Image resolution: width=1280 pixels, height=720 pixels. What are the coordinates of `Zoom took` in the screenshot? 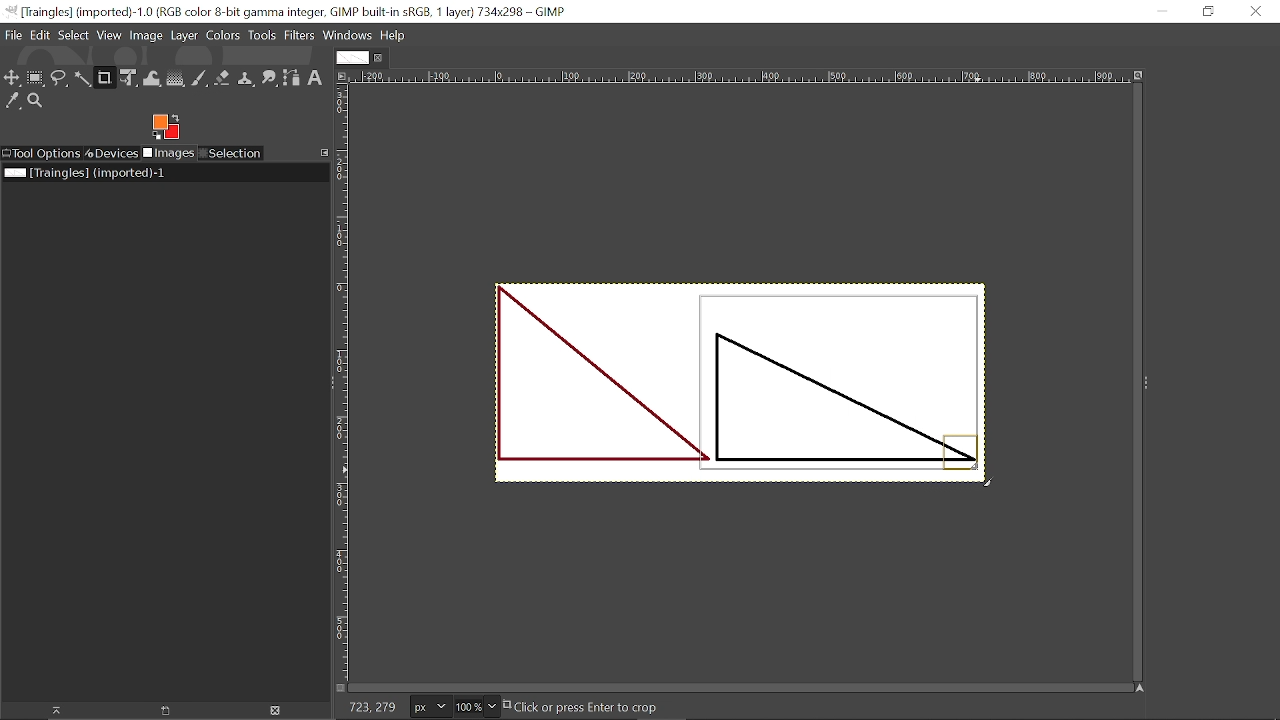 It's located at (36, 101).